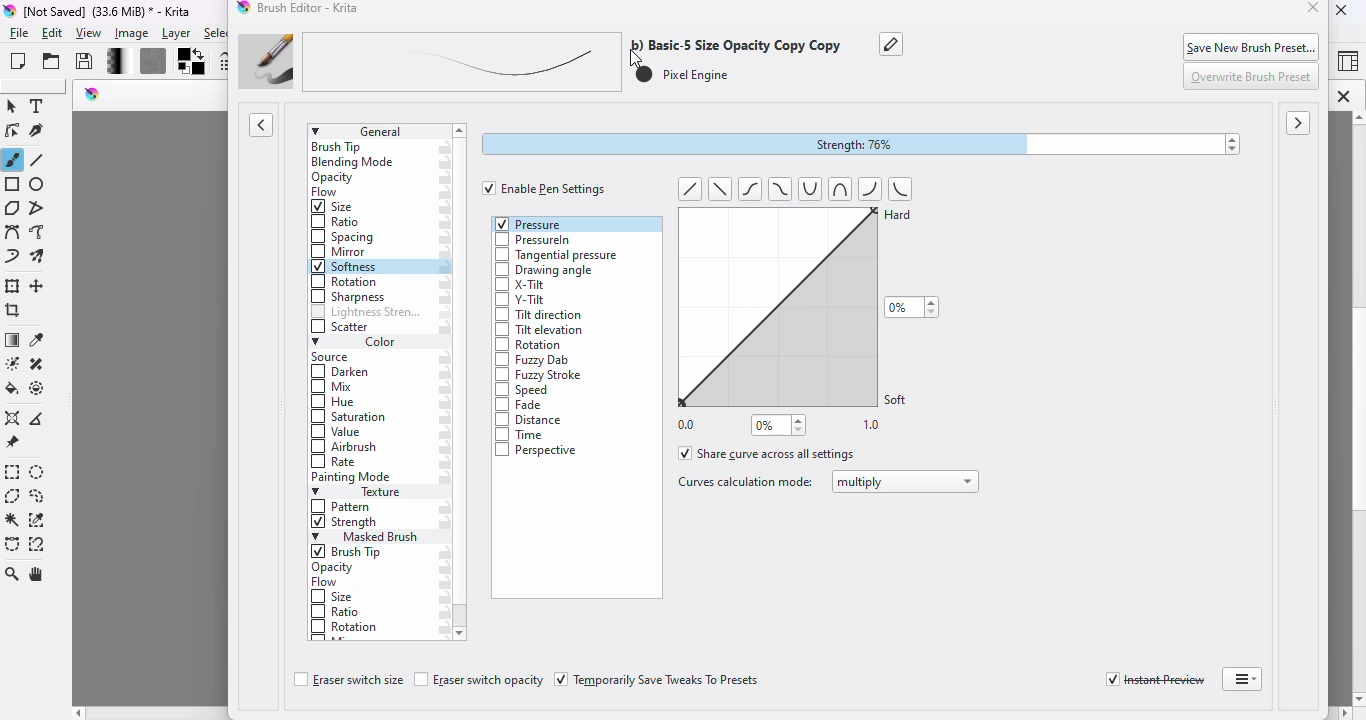  Describe the element at coordinates (353, 478) in the screenshot. I see `painting mode` at that location.